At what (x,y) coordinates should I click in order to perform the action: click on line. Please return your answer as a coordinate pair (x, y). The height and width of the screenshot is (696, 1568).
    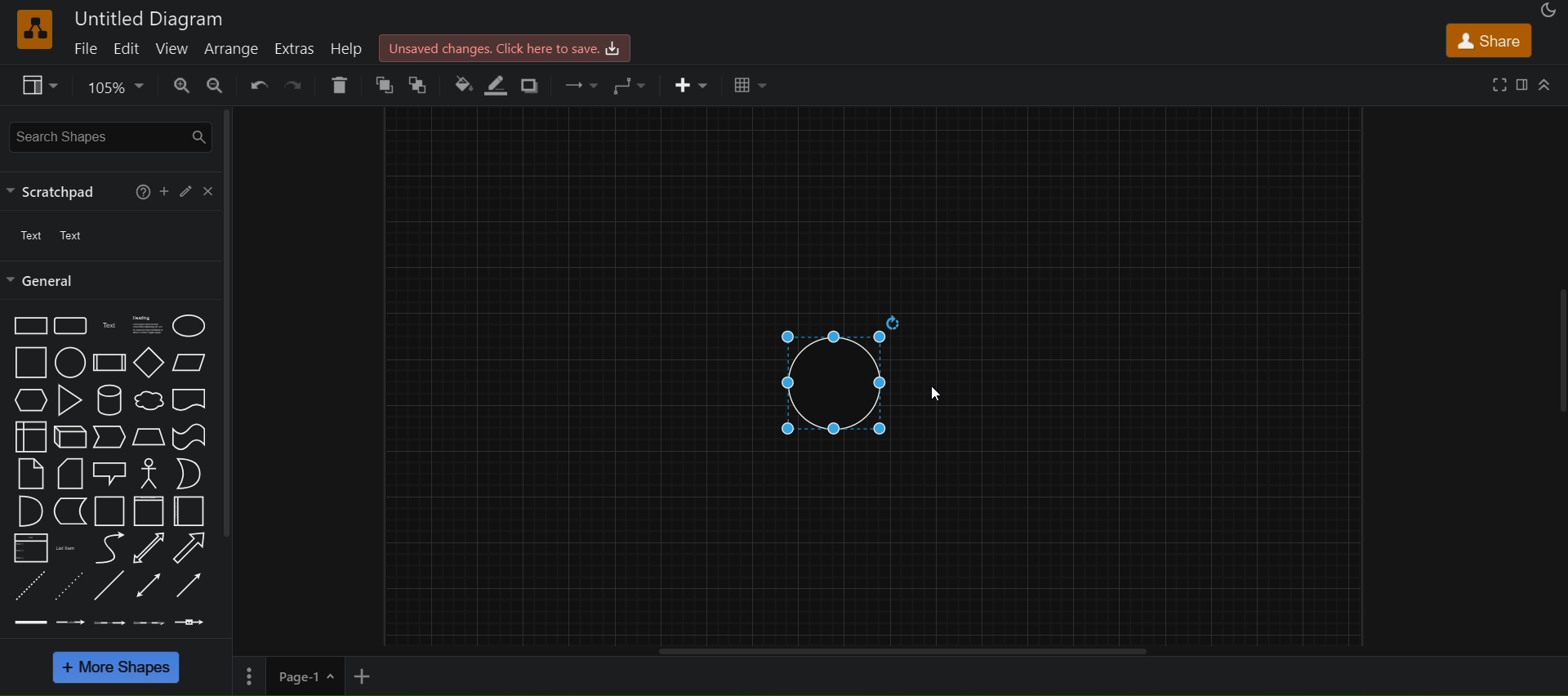
    Looking at the image, I should click on (111, 587).